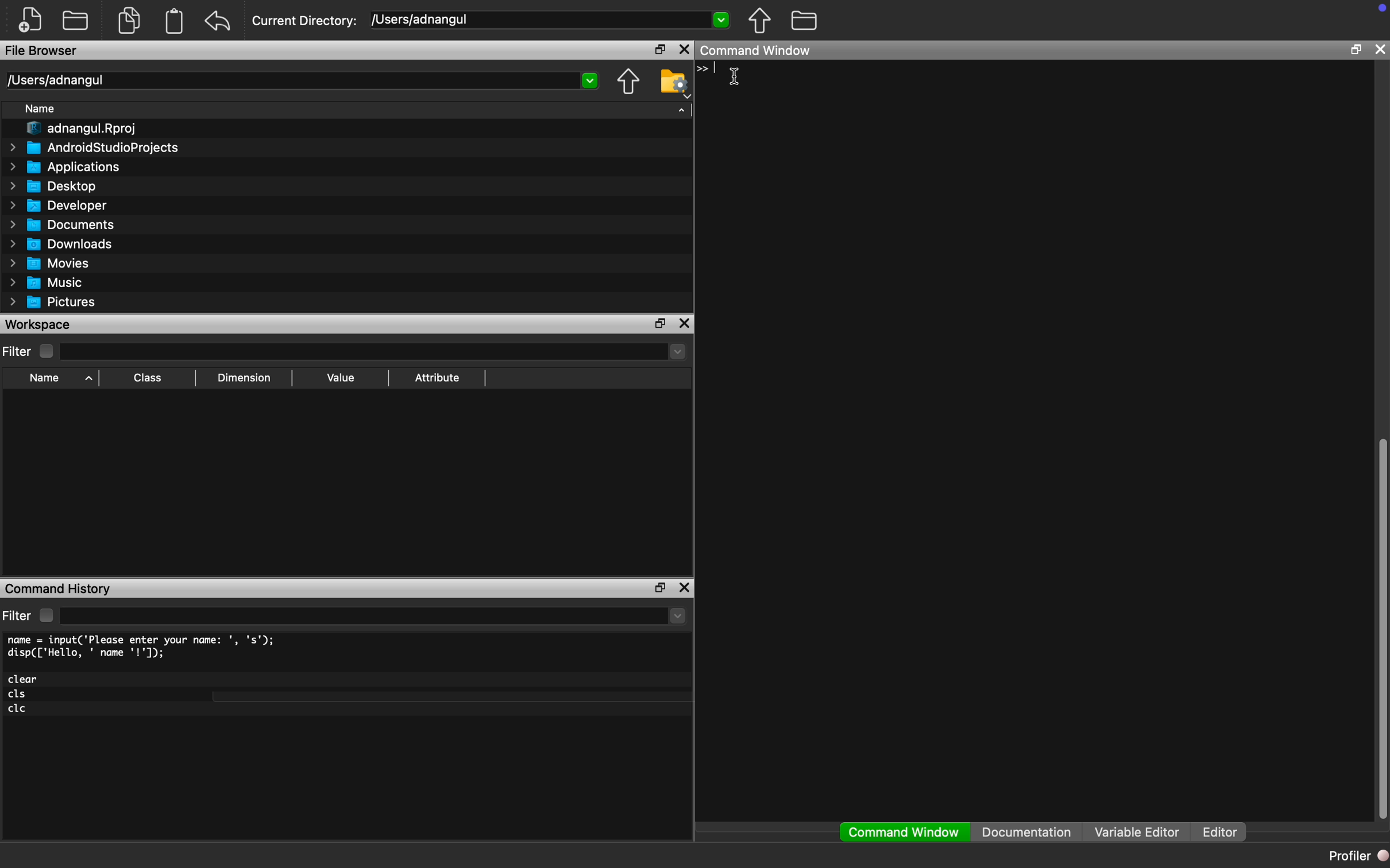 The height and width of the screenshot is (868, 1390). Describe the element at coordinates (1357, 855) in the screenshot. I see `Profiler` at that location.